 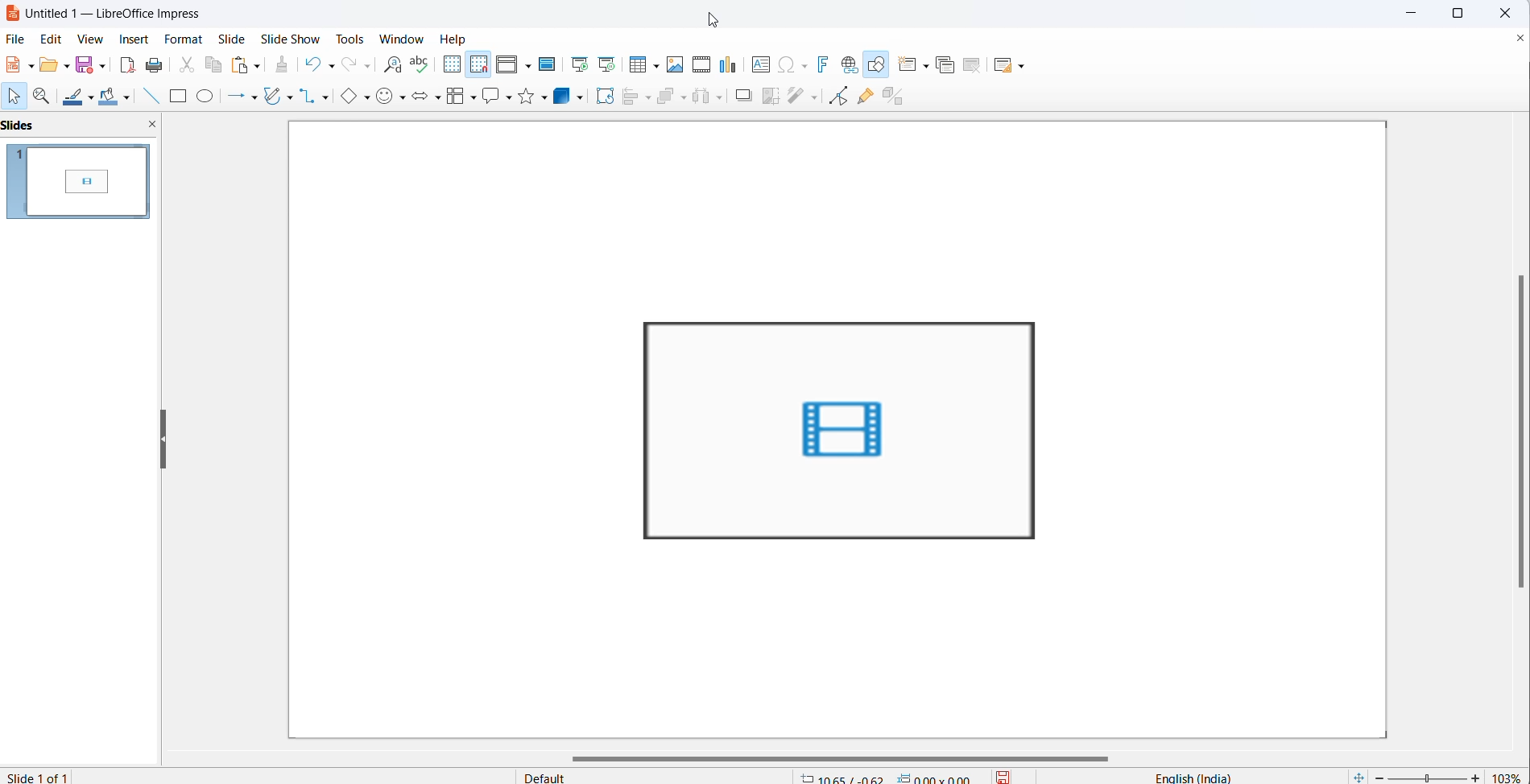 I want to click on window, so click(x=396, y=36).